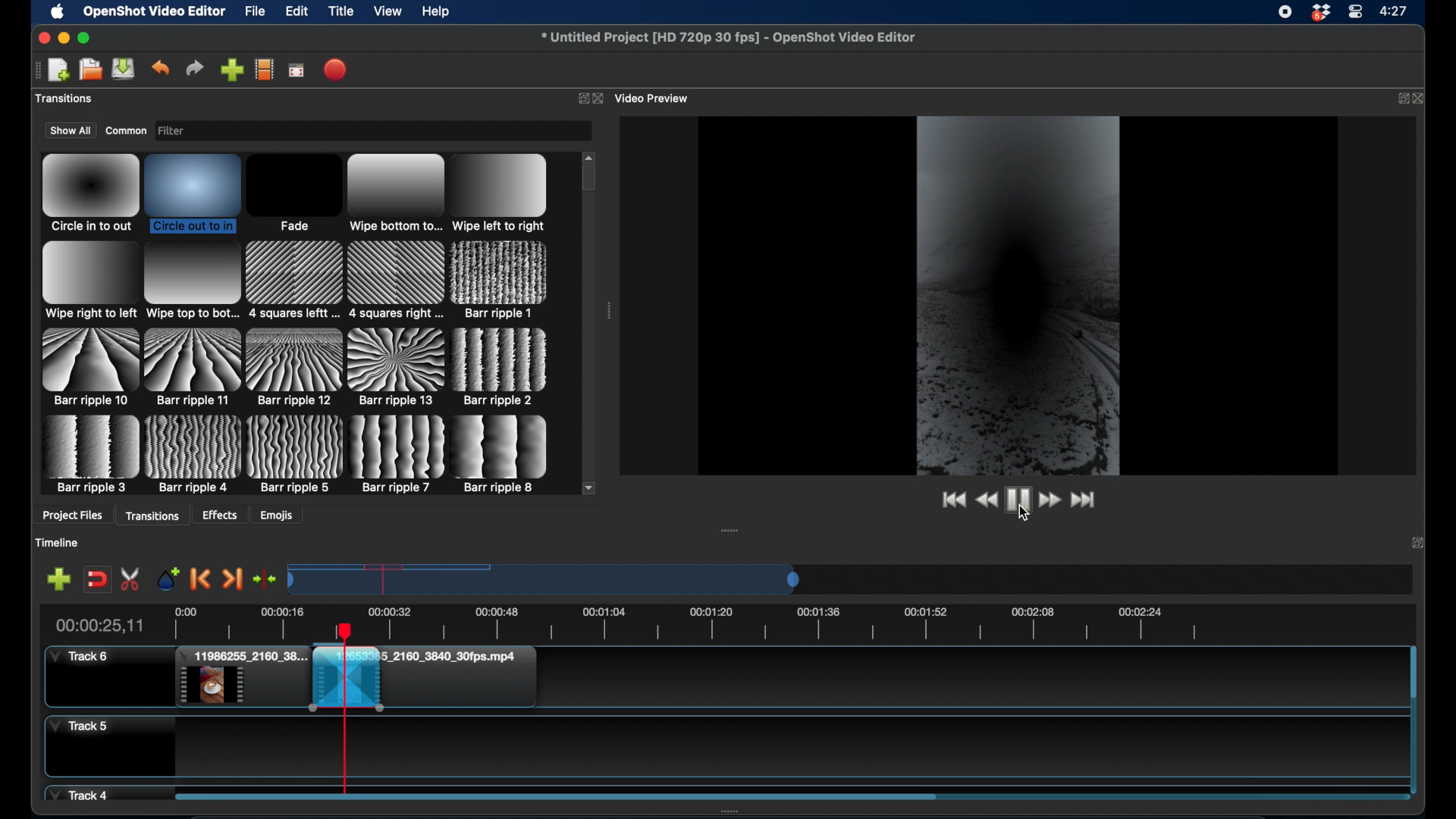  I want to click on timeline, so click(58, 542).